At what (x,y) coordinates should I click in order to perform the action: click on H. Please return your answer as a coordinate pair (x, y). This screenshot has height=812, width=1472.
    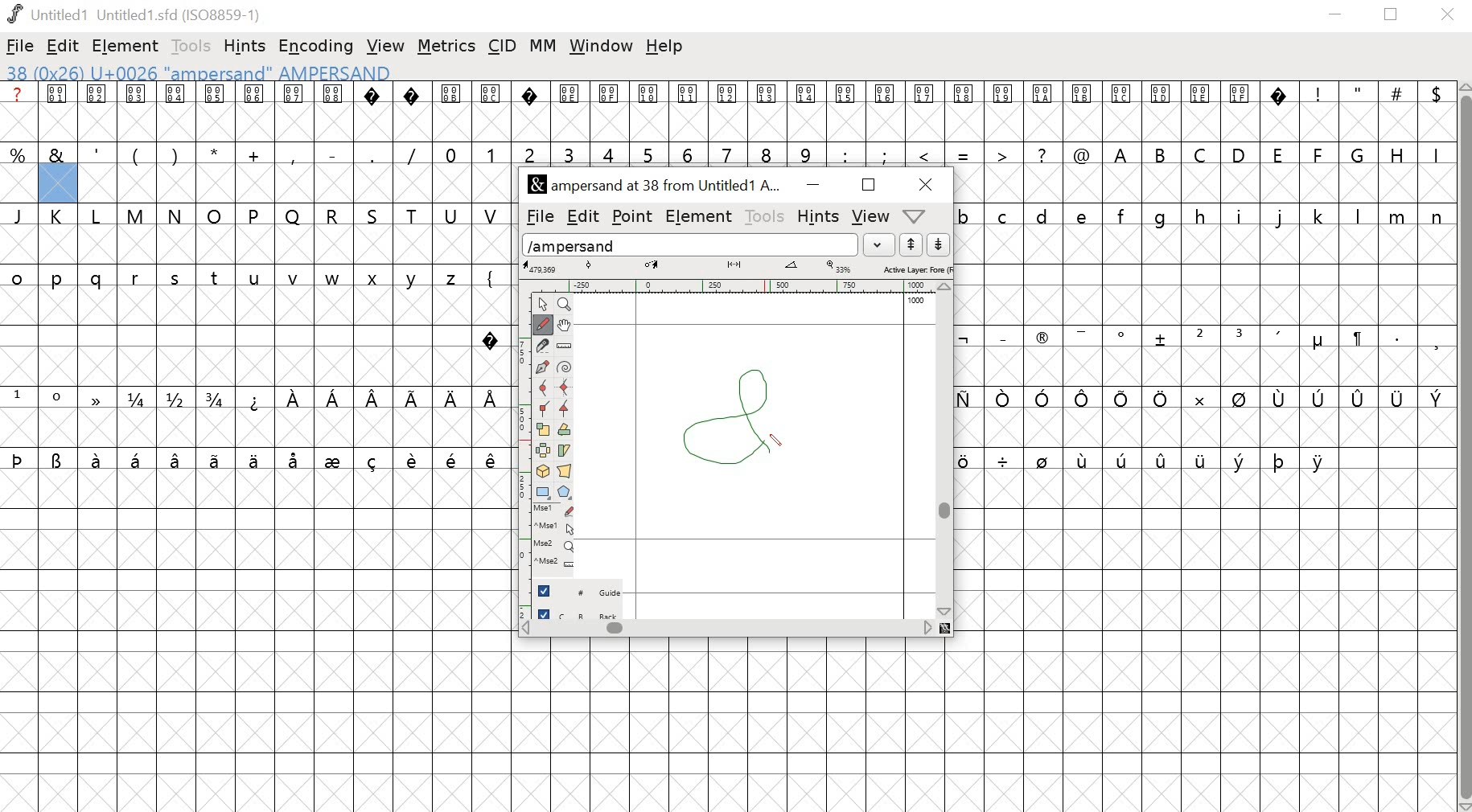
    Looking at the image, I should click on (1397, 153).